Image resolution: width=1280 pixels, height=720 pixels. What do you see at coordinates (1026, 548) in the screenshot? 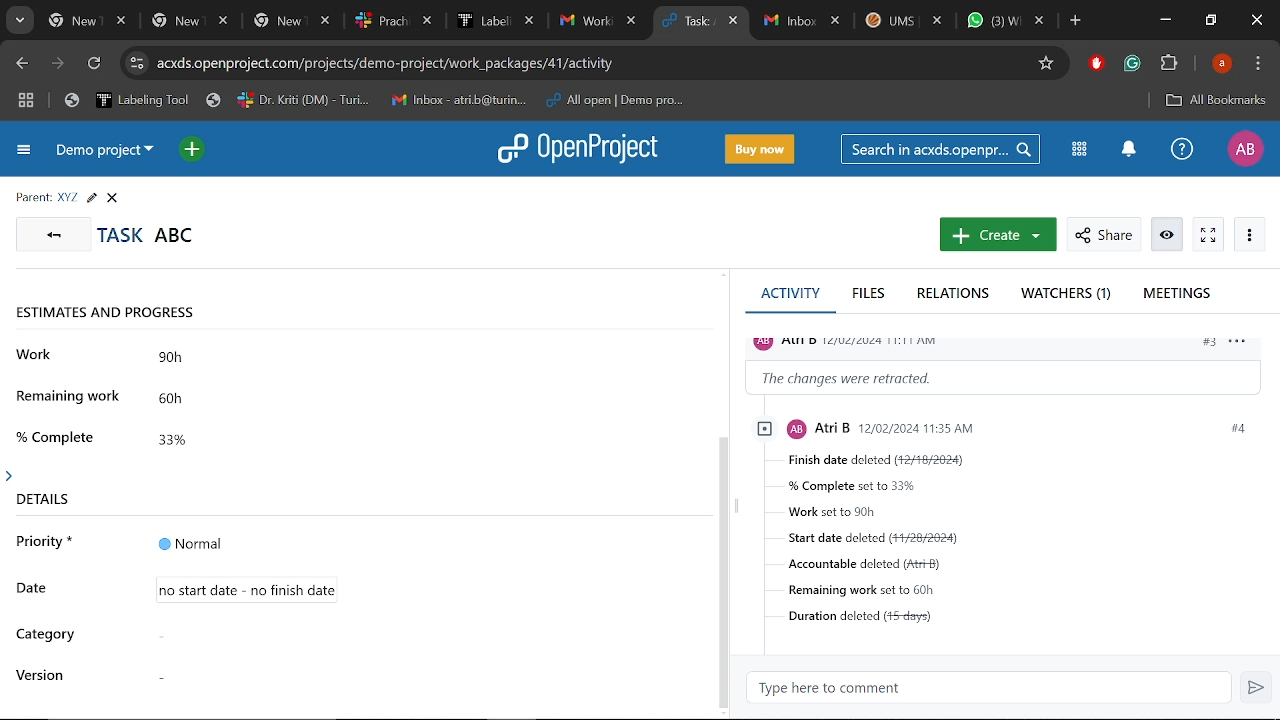
I see `Task details` at bounding box center [1026, 548].